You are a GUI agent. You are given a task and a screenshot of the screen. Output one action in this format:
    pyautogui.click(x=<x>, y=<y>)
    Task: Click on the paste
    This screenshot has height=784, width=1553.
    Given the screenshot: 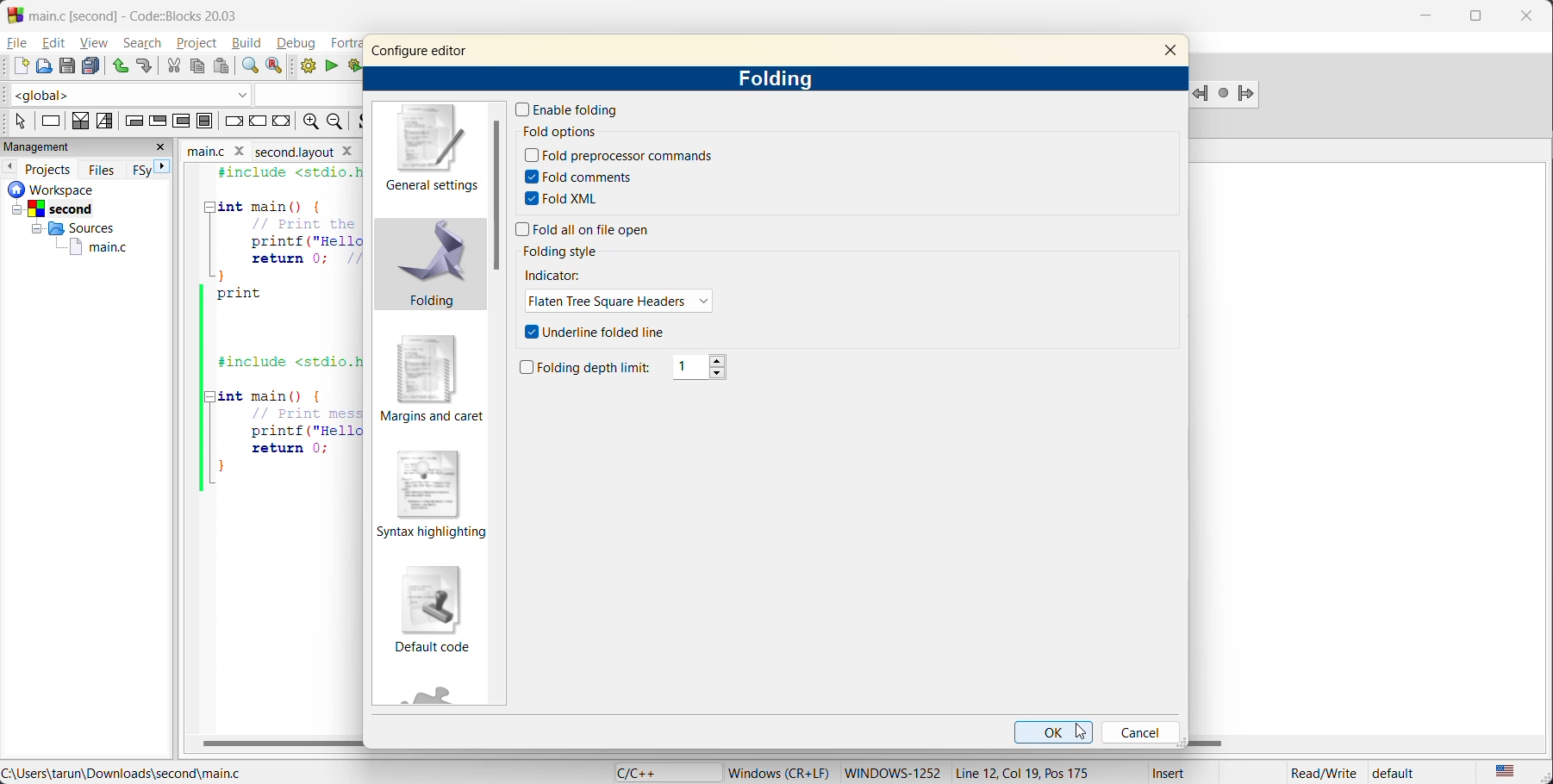 What is the action you would take?
    pyautogui.click(x=221, y=66)
    